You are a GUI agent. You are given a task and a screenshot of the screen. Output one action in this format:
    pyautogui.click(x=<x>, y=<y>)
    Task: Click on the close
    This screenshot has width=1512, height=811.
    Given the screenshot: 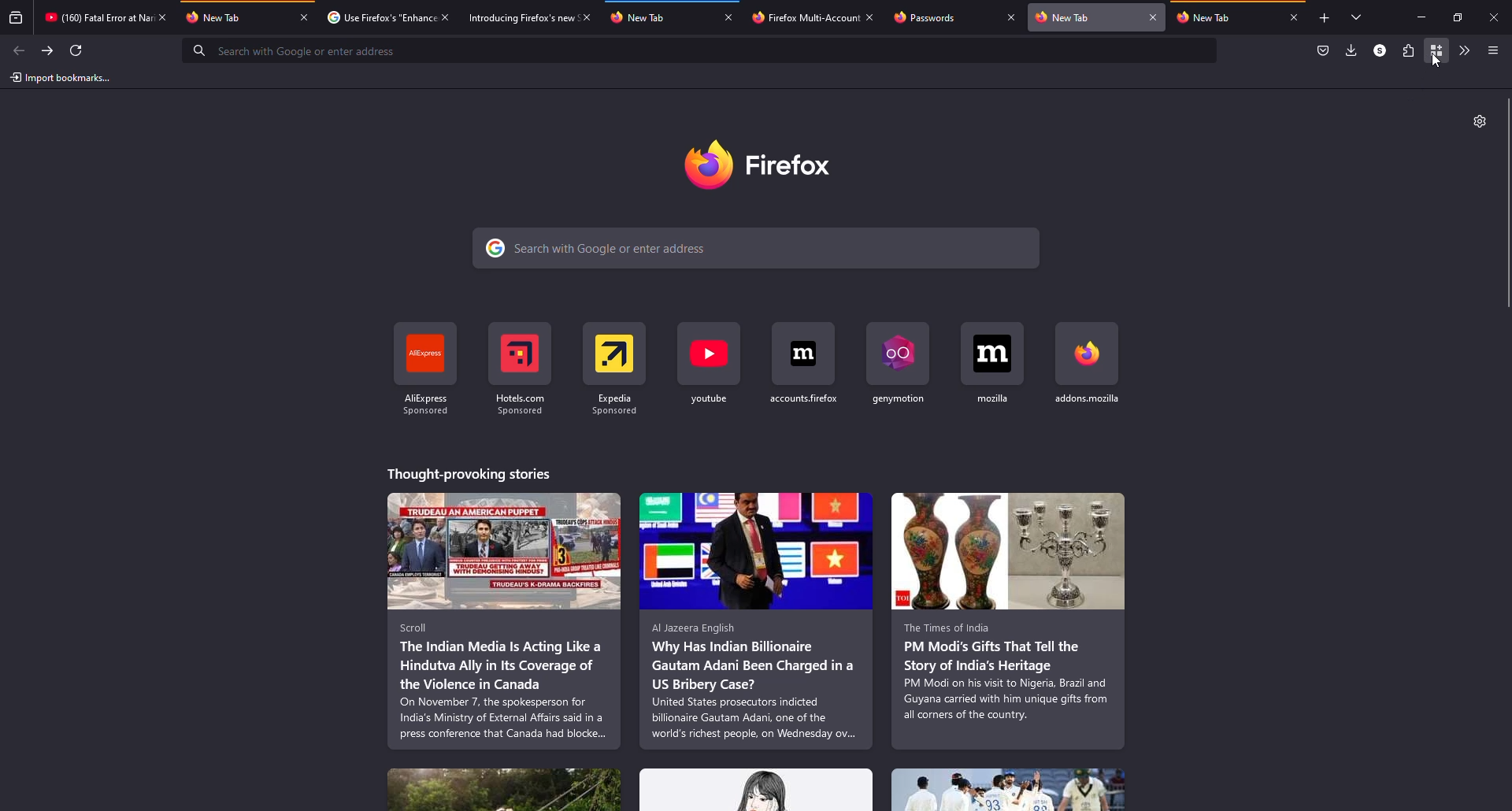 What is the action you would take?
    pyautogui.click(x=304, y=17)
    